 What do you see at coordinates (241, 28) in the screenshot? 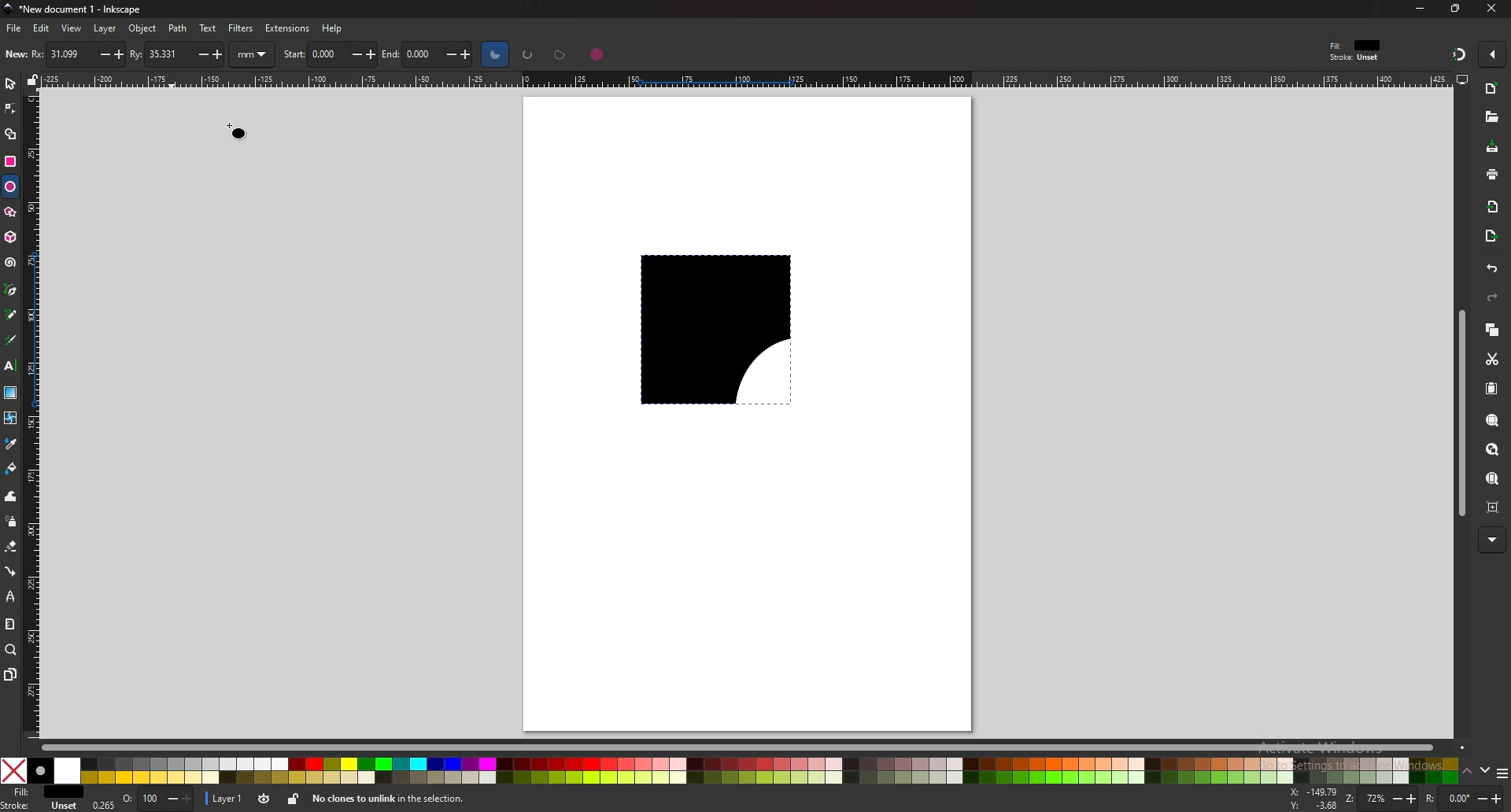
I see `filters` at bounding box center [241, 28].